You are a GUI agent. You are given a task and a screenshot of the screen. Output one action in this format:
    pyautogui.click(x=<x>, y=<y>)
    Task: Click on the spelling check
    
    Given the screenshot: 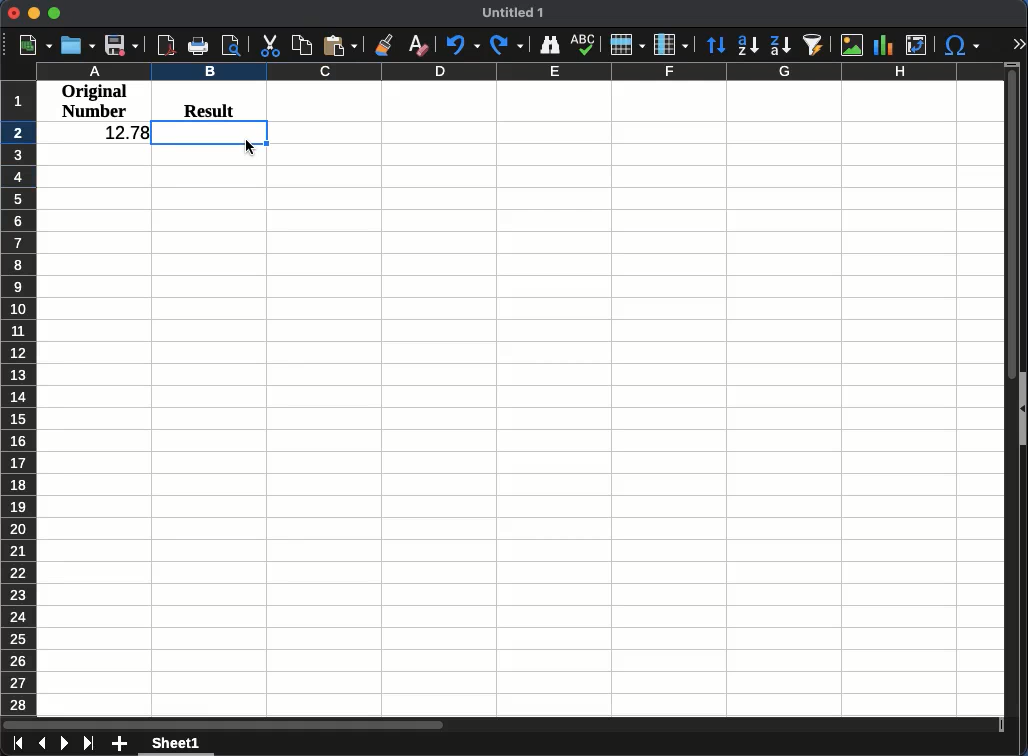 What is the action you would take?
    pyautogui.click(x=586, y=42)
    